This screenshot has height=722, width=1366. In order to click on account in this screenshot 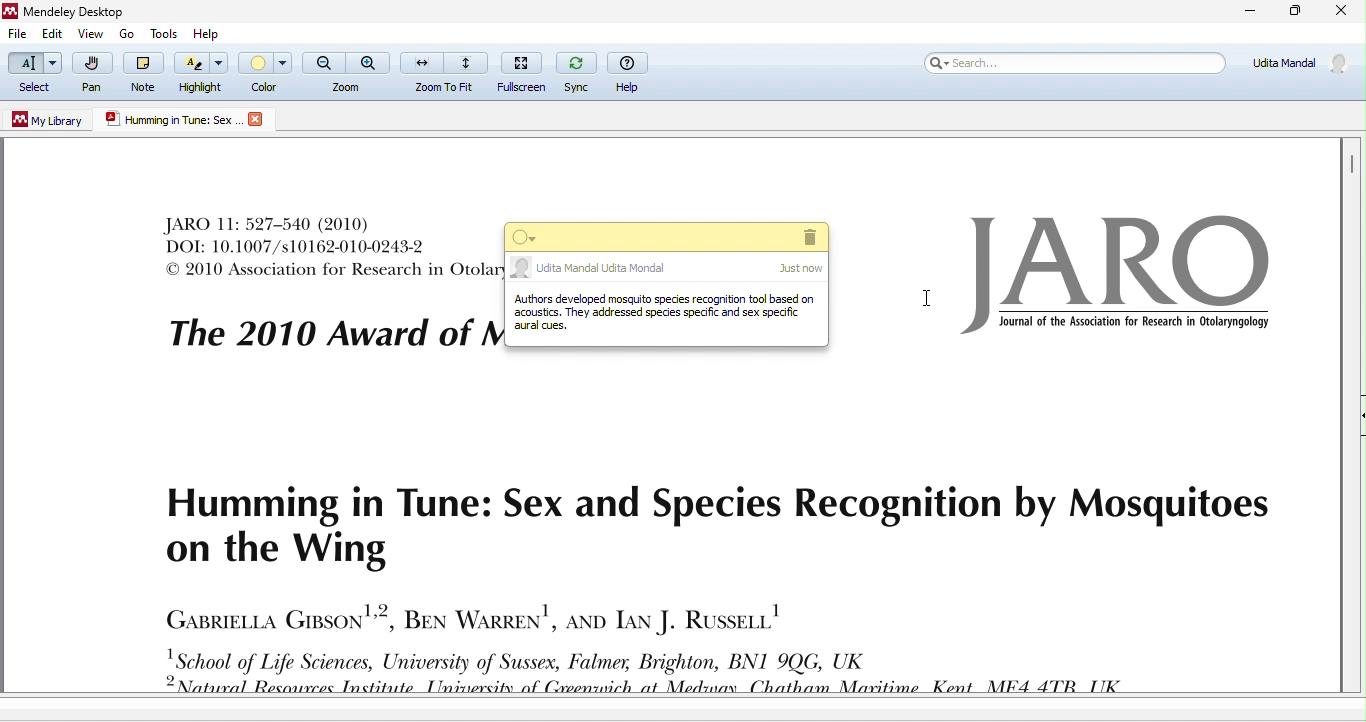, I will do `click(1297, 66)`.